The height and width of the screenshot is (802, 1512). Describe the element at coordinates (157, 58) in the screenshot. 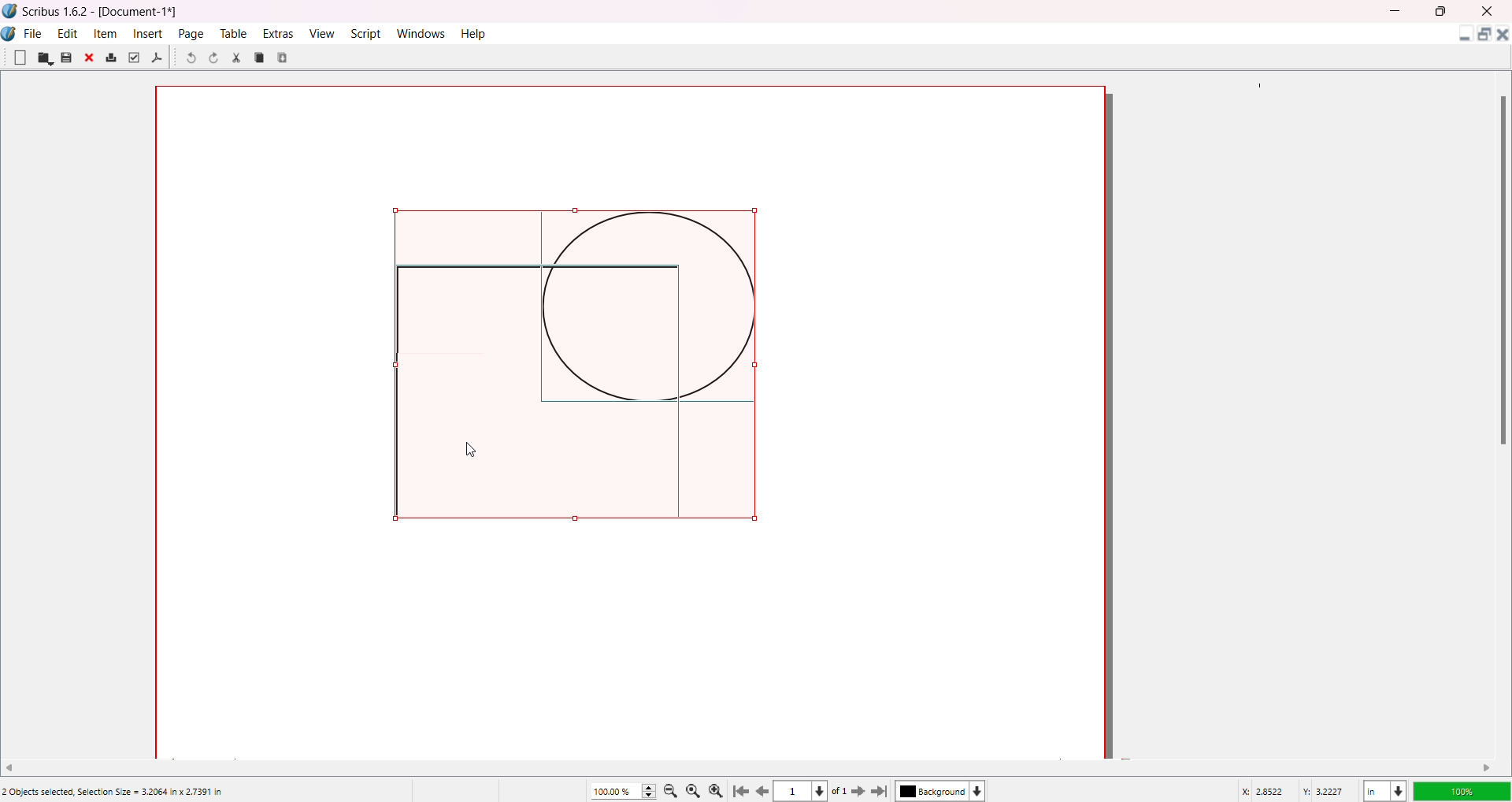

I see `Save as PDF` at that location.